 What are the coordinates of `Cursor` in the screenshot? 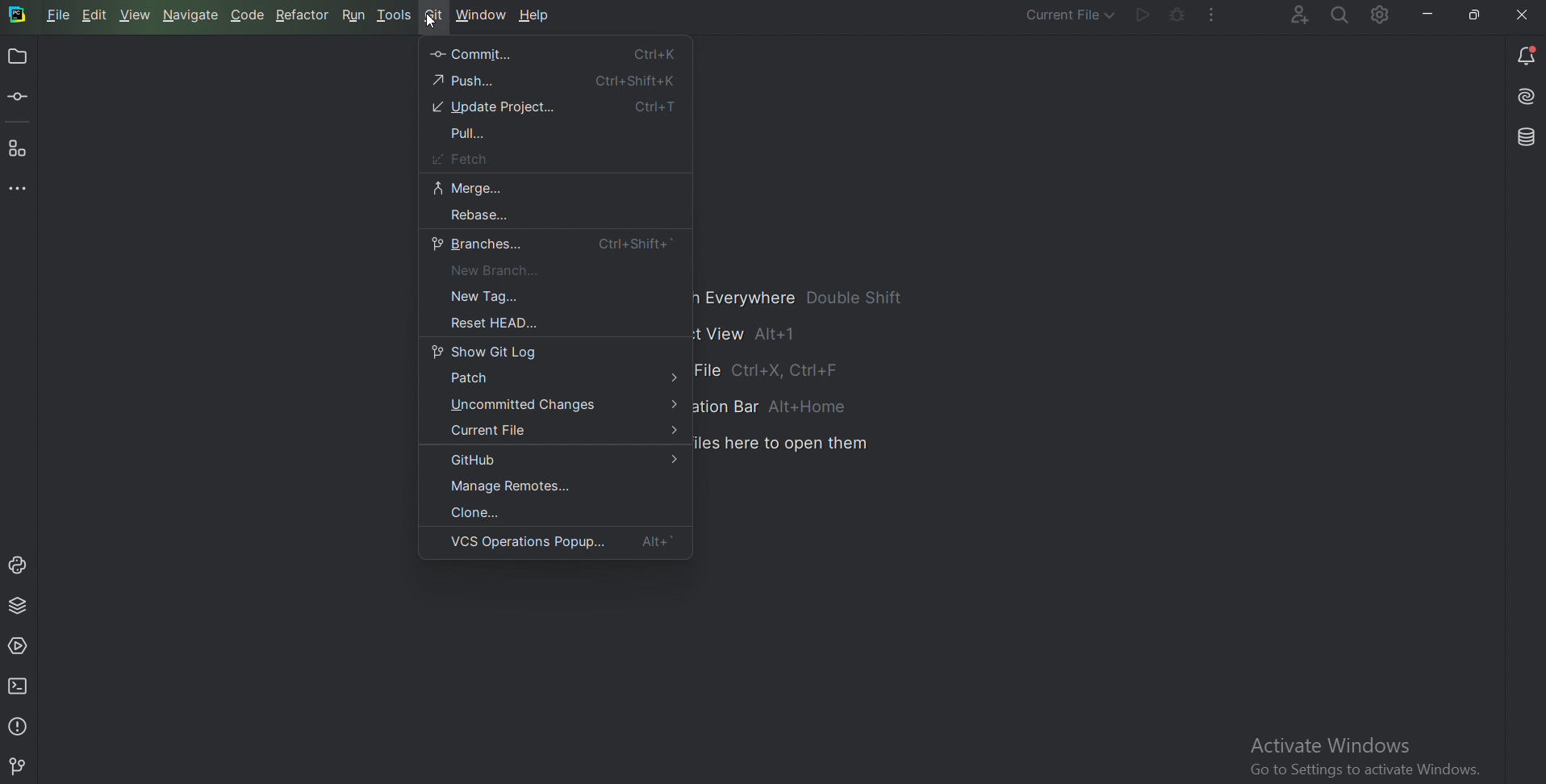 It's located at (432, 22).